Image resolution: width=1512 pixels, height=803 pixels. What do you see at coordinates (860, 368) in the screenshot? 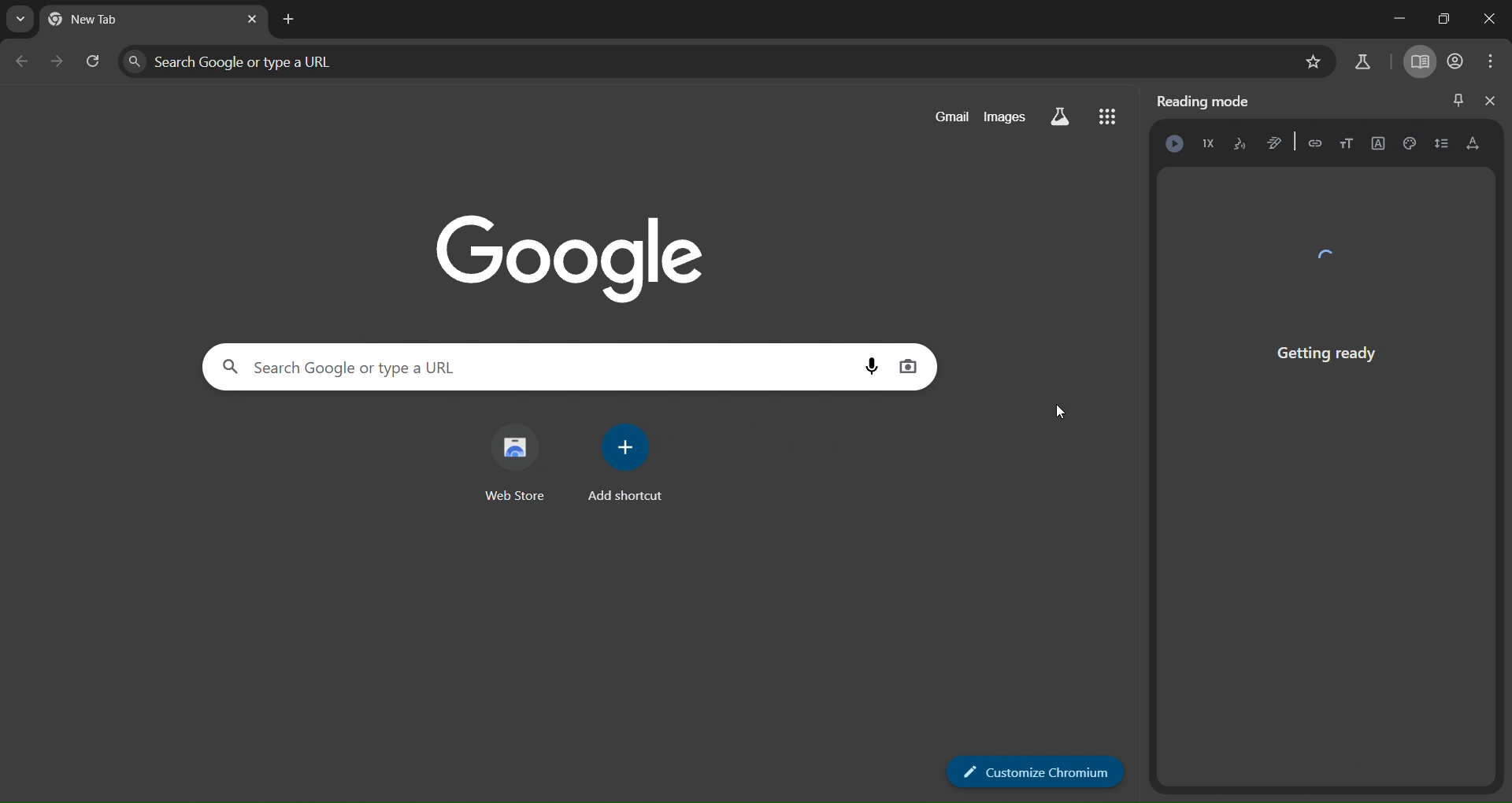
I see `voice search` at bounding box center [860, 368].